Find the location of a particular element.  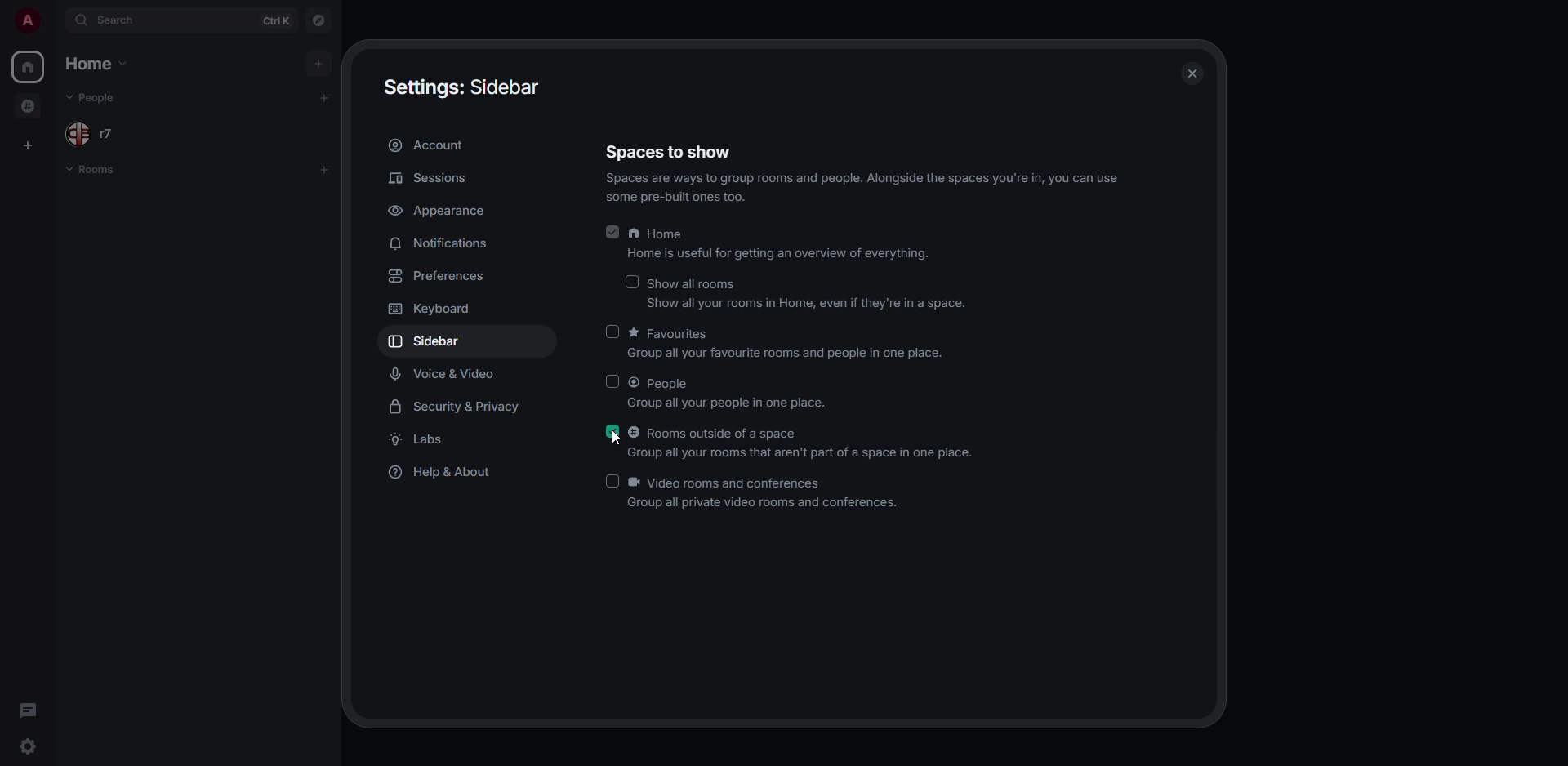

navigator is located at coordinates (320, 19).